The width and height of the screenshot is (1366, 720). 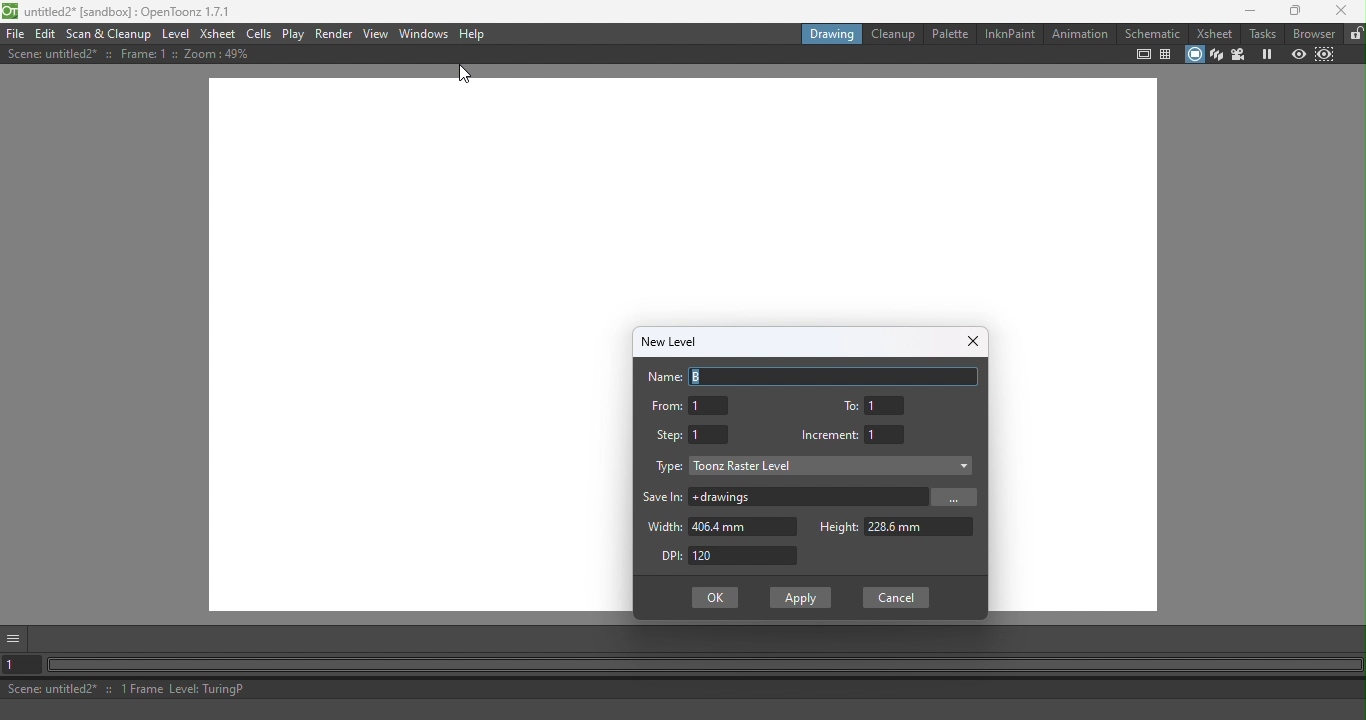 I want to click on Windows, so click(x=425, y=34).